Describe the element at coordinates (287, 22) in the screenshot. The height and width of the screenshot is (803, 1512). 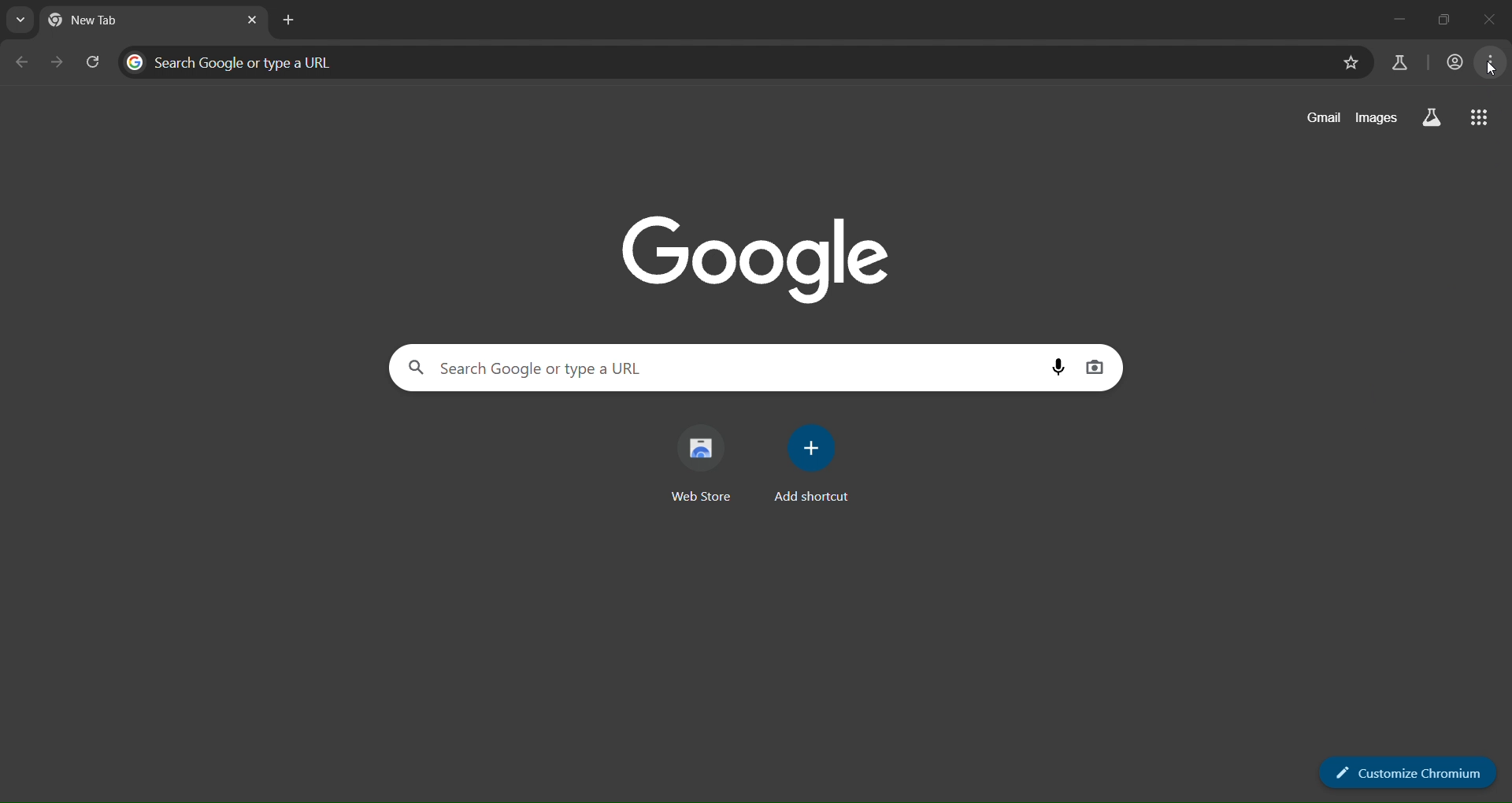
I see `new tab` at that location.